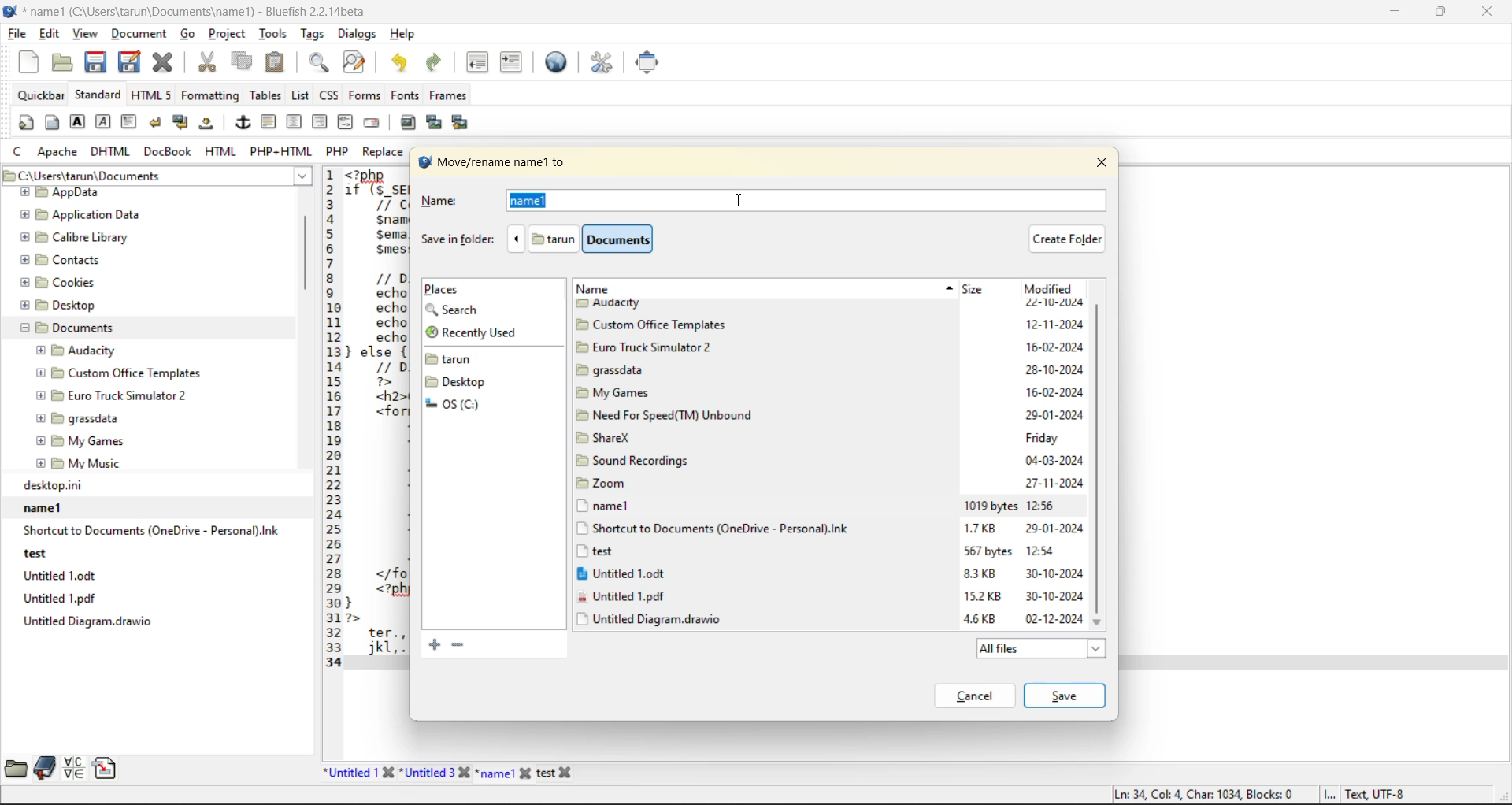 This screenshot has width=1512, height=805. Describe the element at coordinates (991, 565) in the screenshot. I see `size` at that location.